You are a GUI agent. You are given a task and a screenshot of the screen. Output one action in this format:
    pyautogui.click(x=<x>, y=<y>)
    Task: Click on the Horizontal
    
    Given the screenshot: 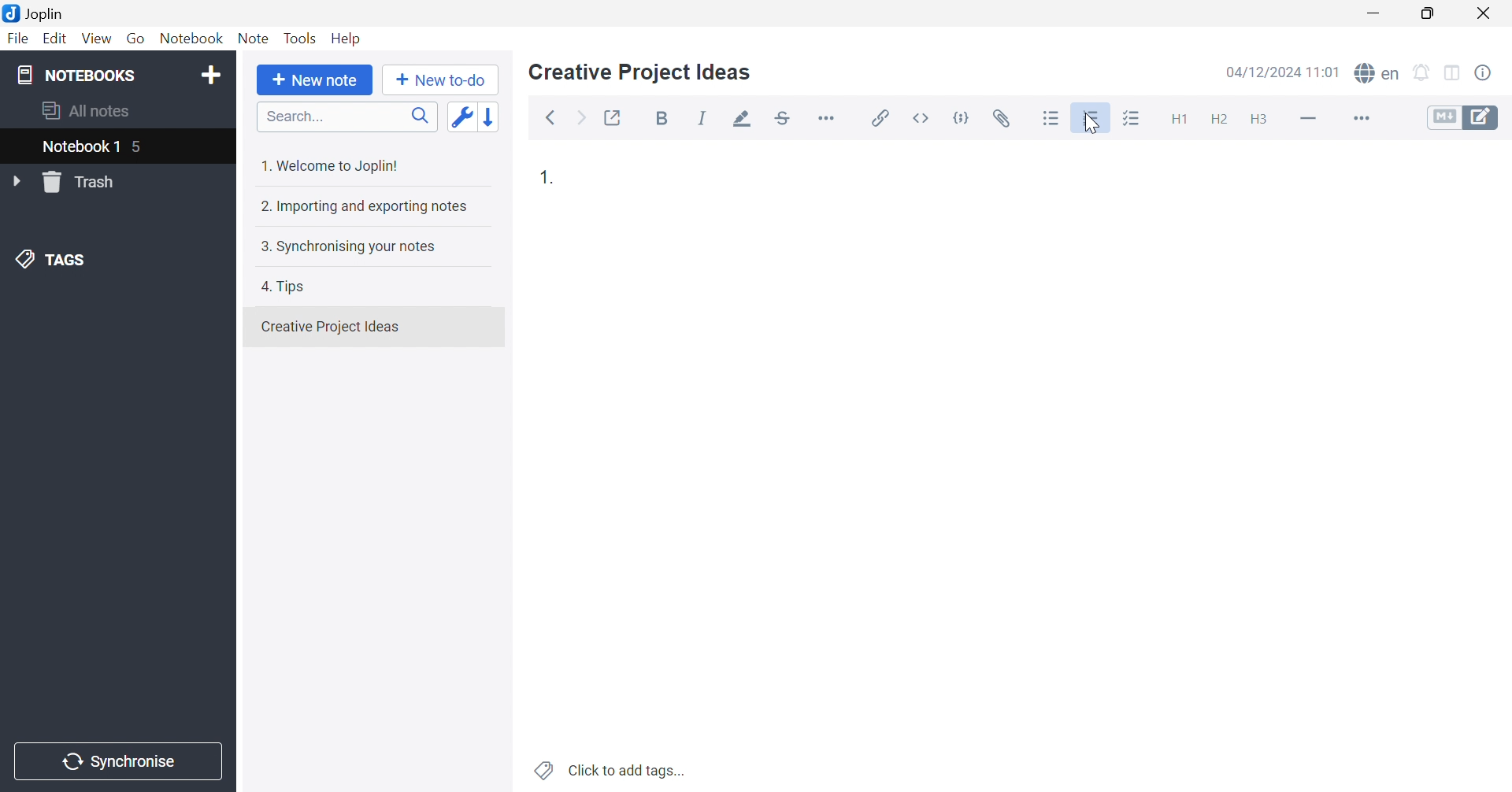 What is the action you would take?
    pyautogui.click(x=831, y=119)
    